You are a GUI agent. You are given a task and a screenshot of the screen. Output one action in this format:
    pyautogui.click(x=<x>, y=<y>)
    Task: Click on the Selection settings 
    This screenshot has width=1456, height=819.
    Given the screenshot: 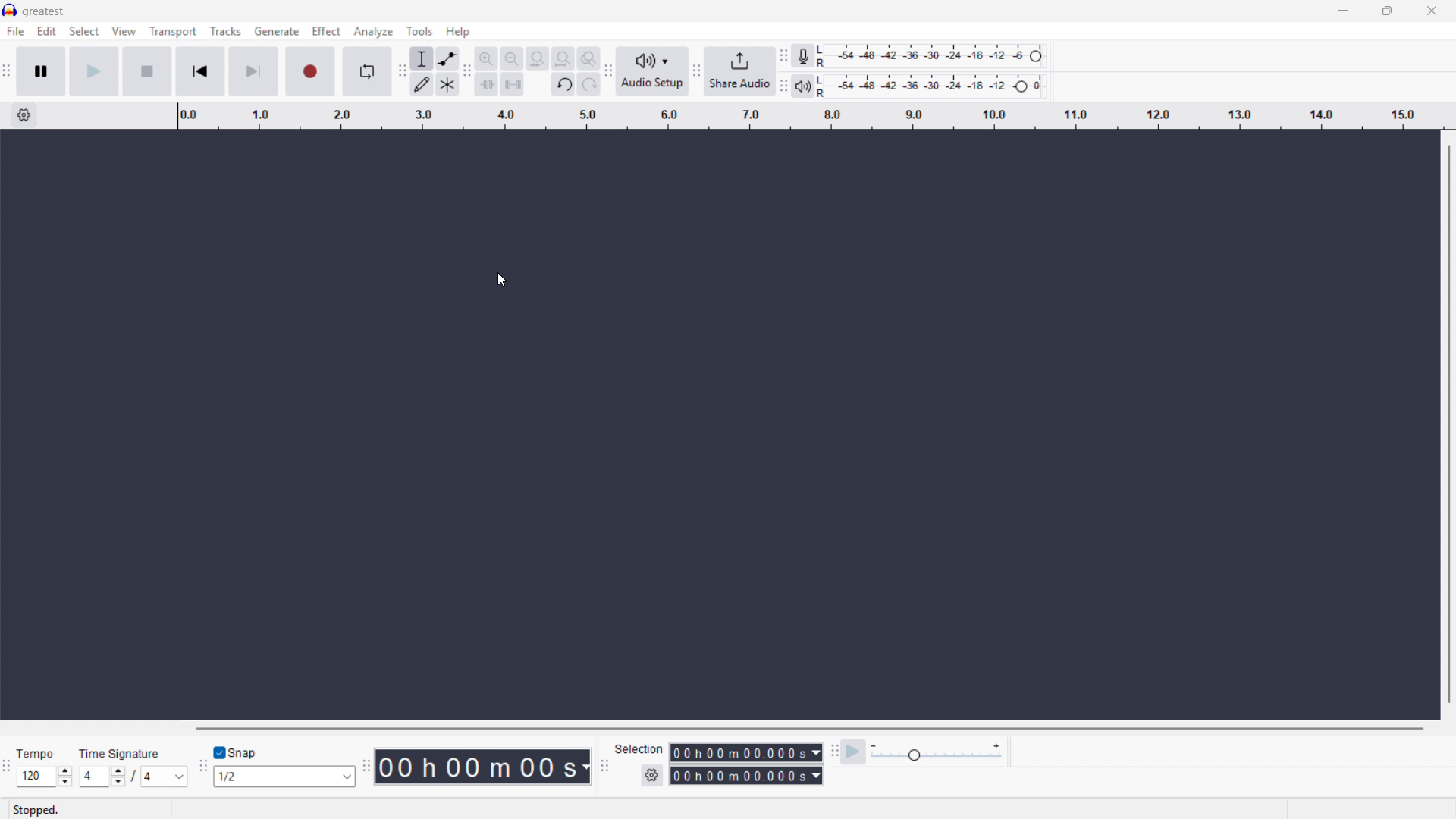 What is the action you would take?
    pyautogui.click(x=652, y=774)
    